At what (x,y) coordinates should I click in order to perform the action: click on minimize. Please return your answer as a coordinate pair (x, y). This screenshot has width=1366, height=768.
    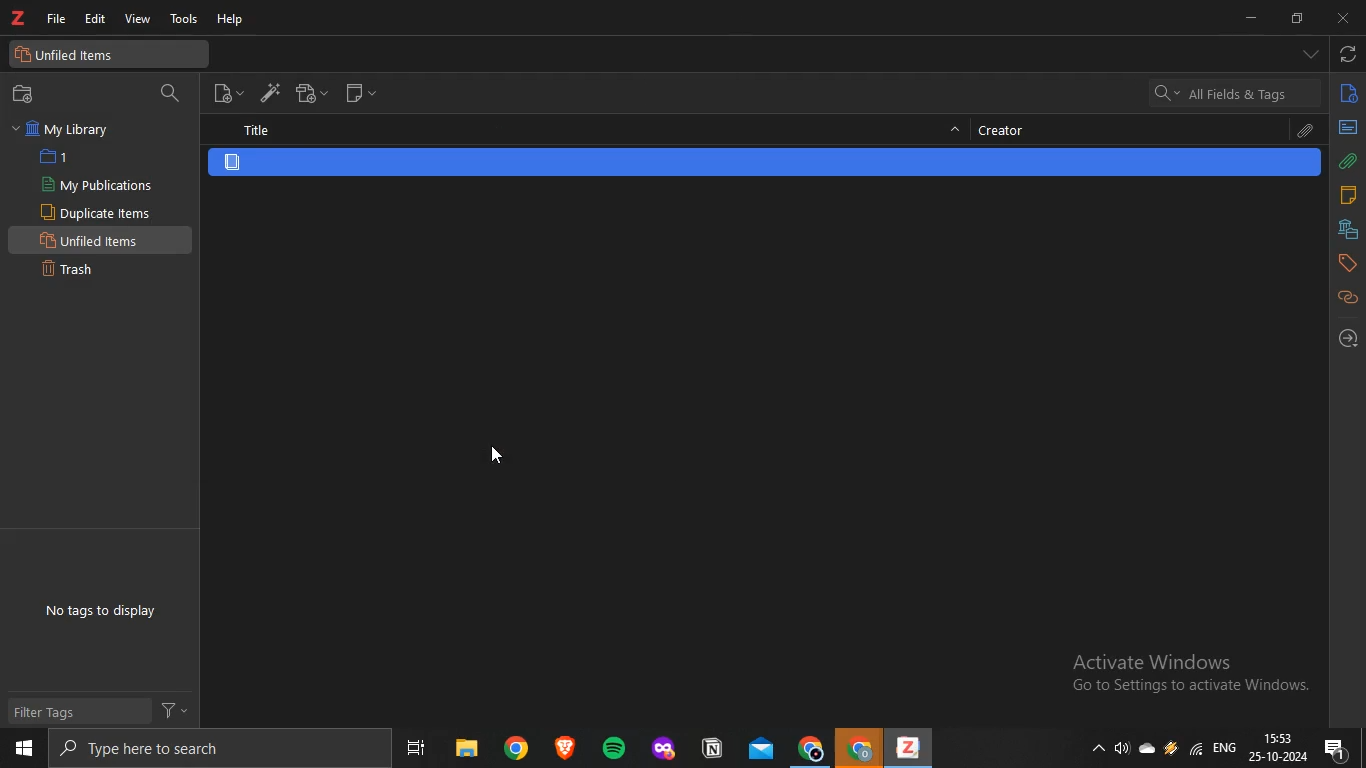
    Looking at the image, I should click on (1255, 19).